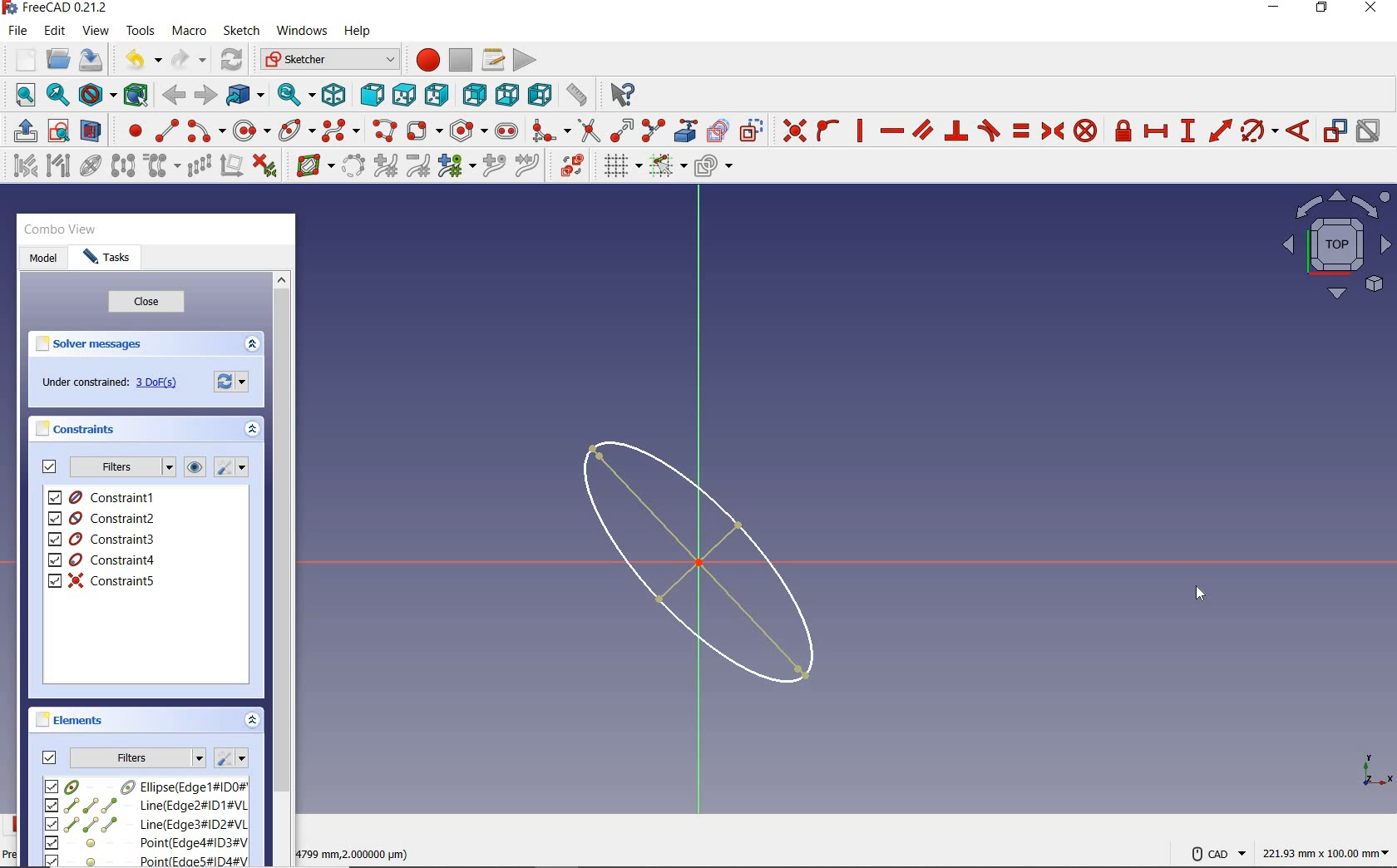 The height and width of the screenshot is (868, 1397). I want to click on constrain horizontally, so click(891, 131).